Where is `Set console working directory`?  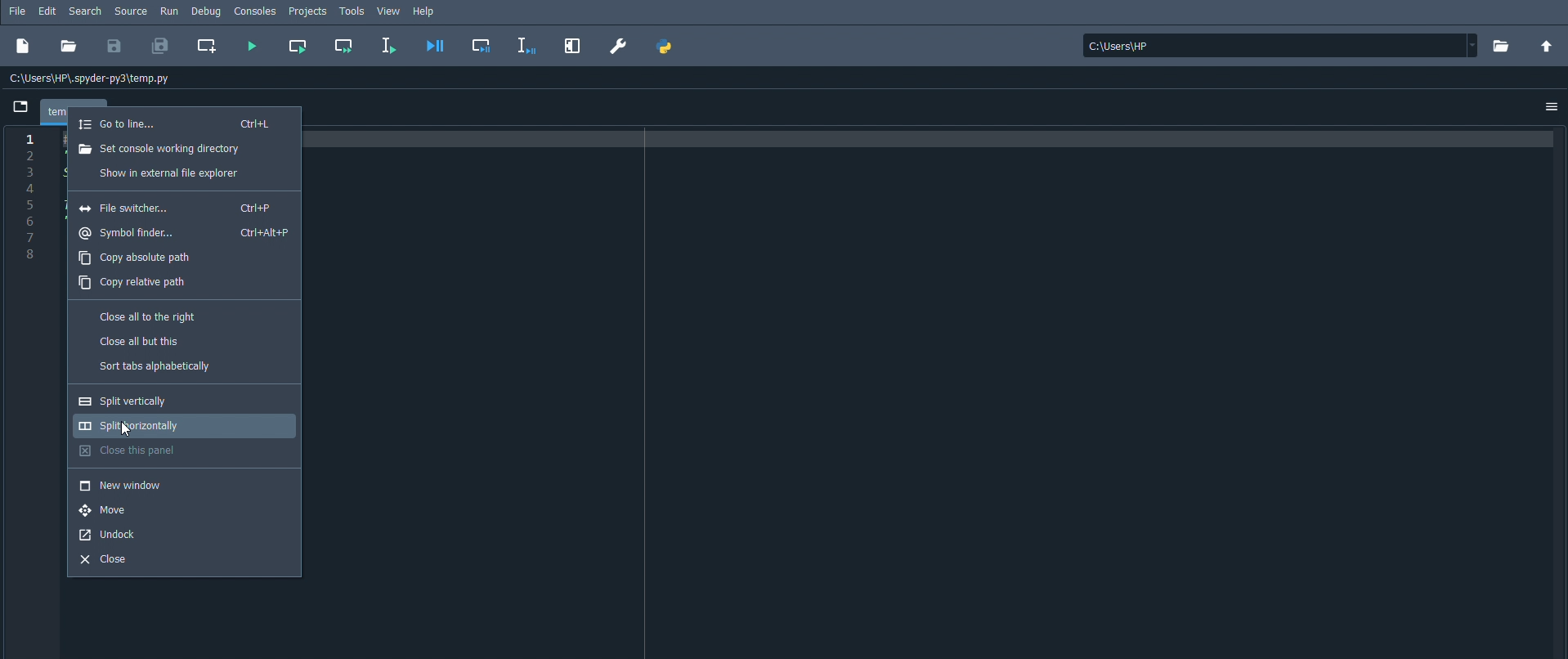
Set console working directory is located at coordinates (161, 150).